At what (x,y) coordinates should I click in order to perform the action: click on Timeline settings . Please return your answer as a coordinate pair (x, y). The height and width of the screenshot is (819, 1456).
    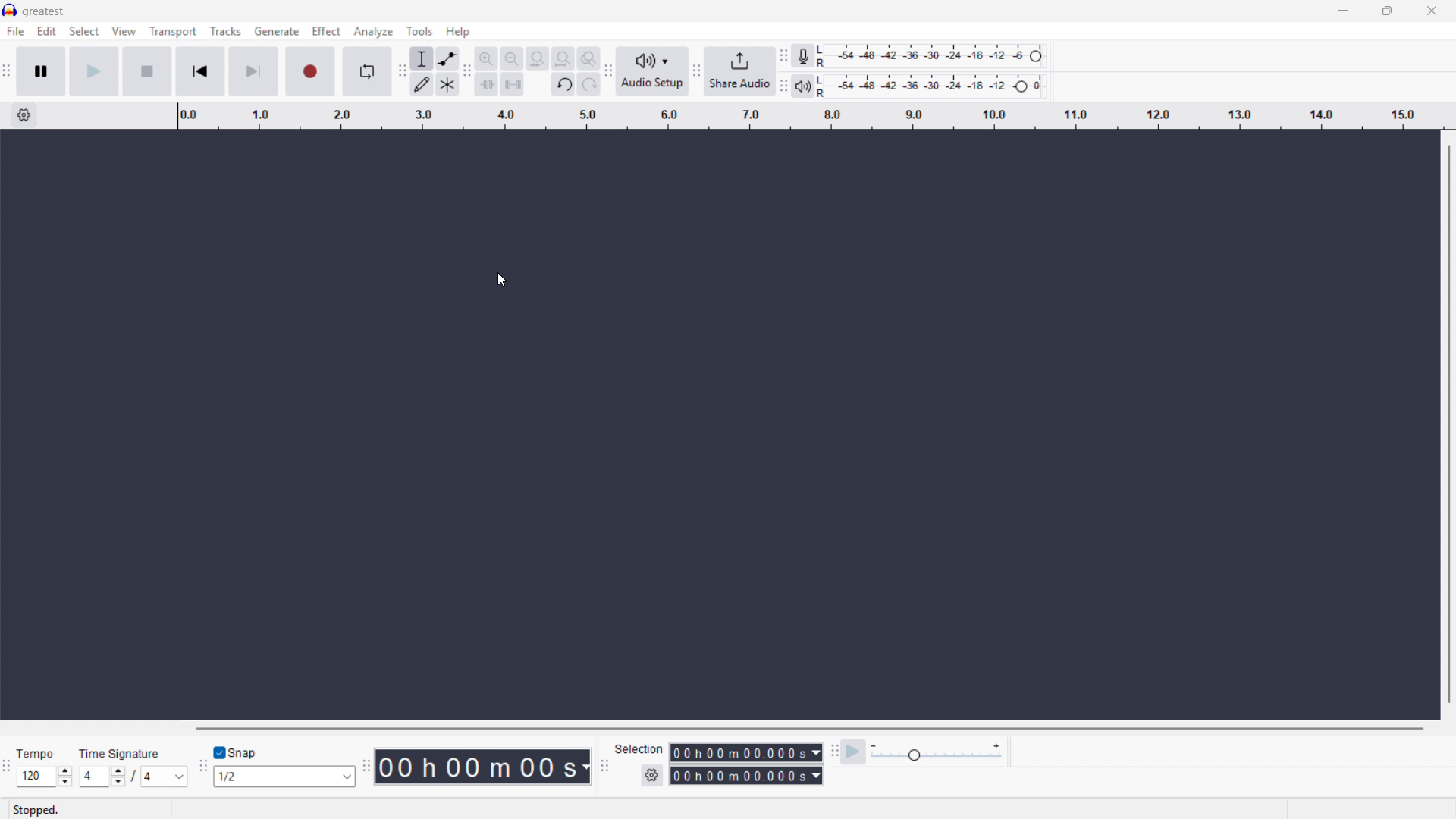
    Looking at the image, I should click on (24, 115).